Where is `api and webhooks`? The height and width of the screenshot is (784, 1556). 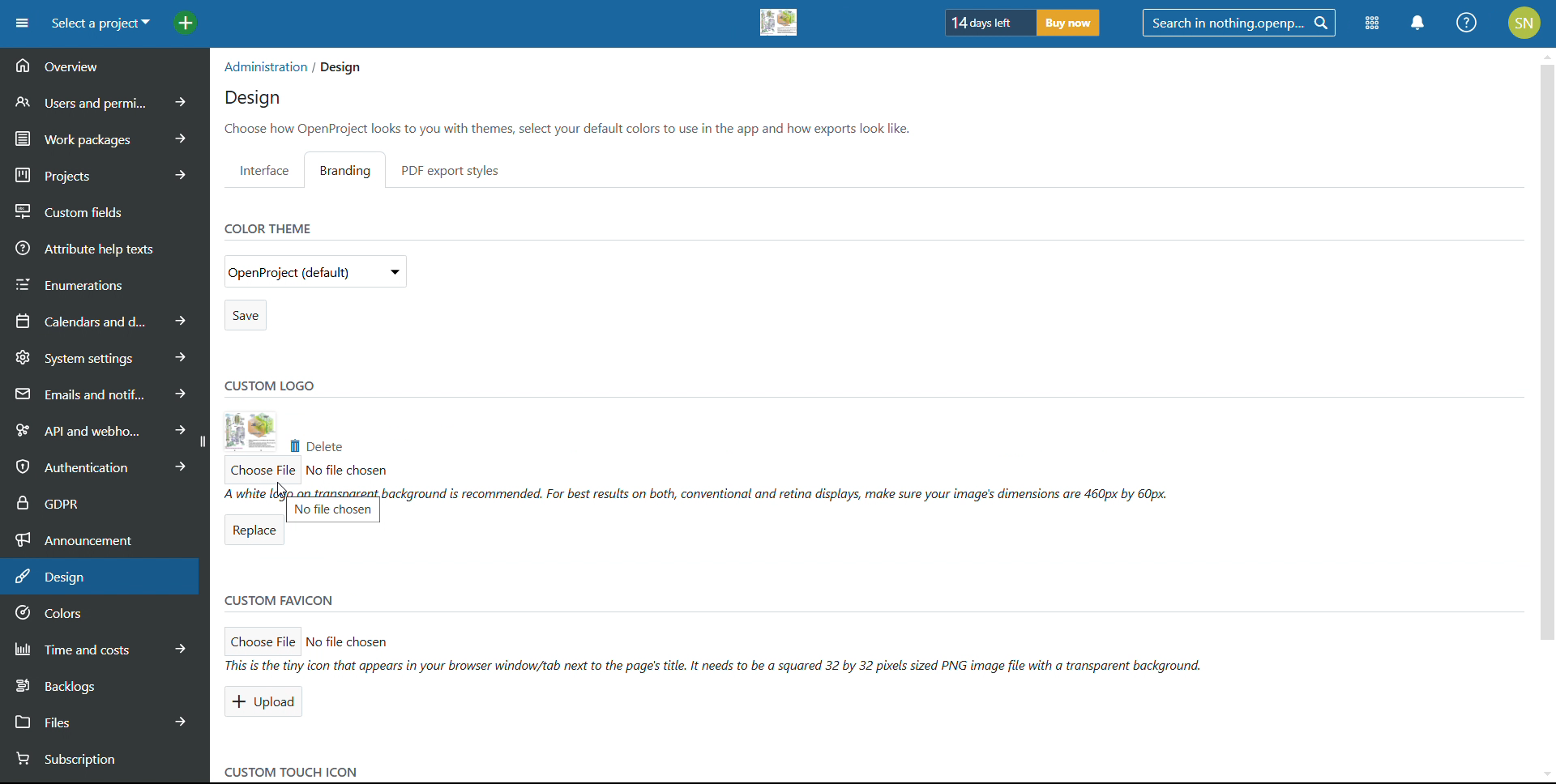
api and webhooks is located at coordinates (96, 428).